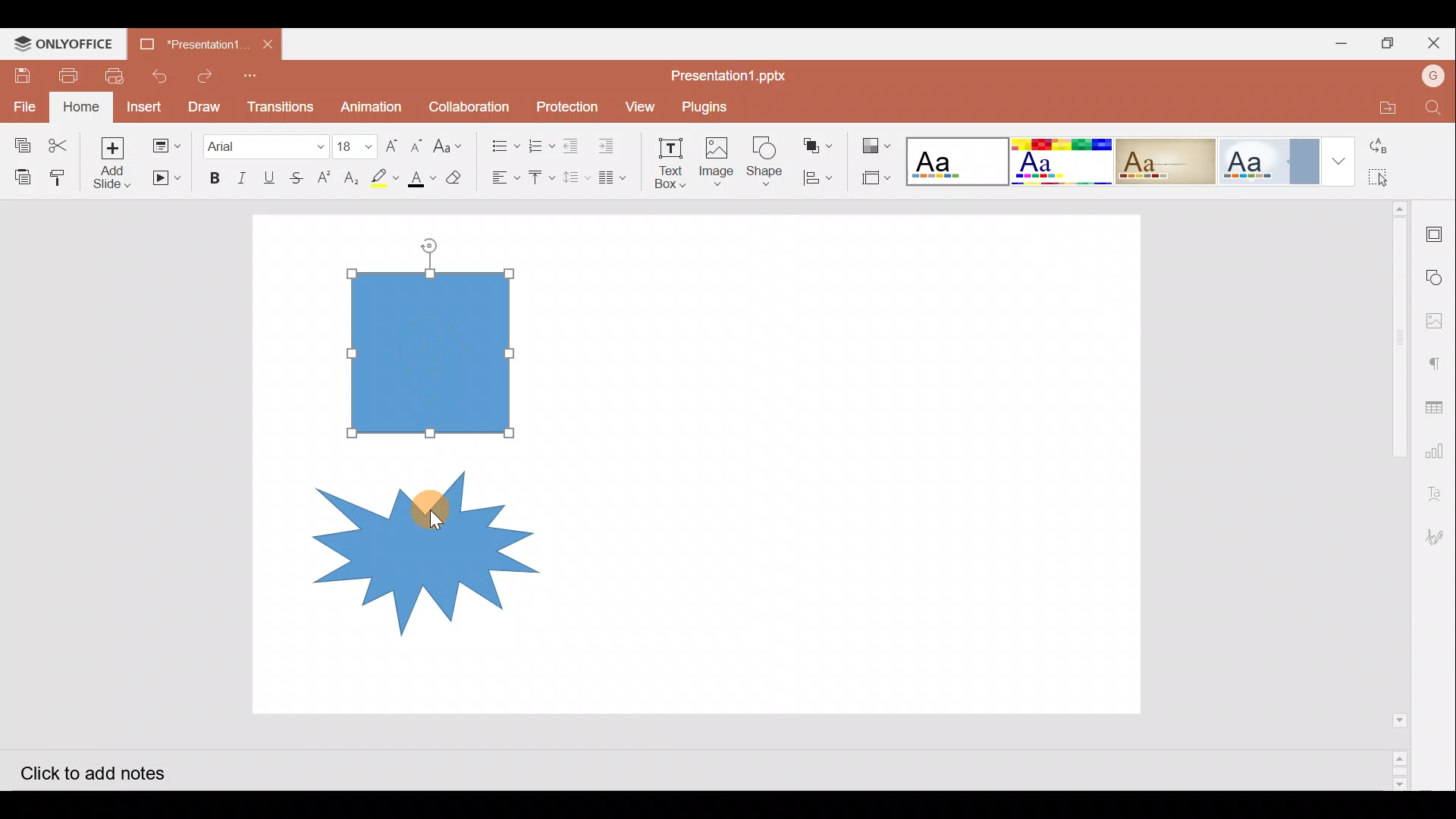  Describe the element at coordinates (1270, 160) in the screenshot. I see `Official` at that location.